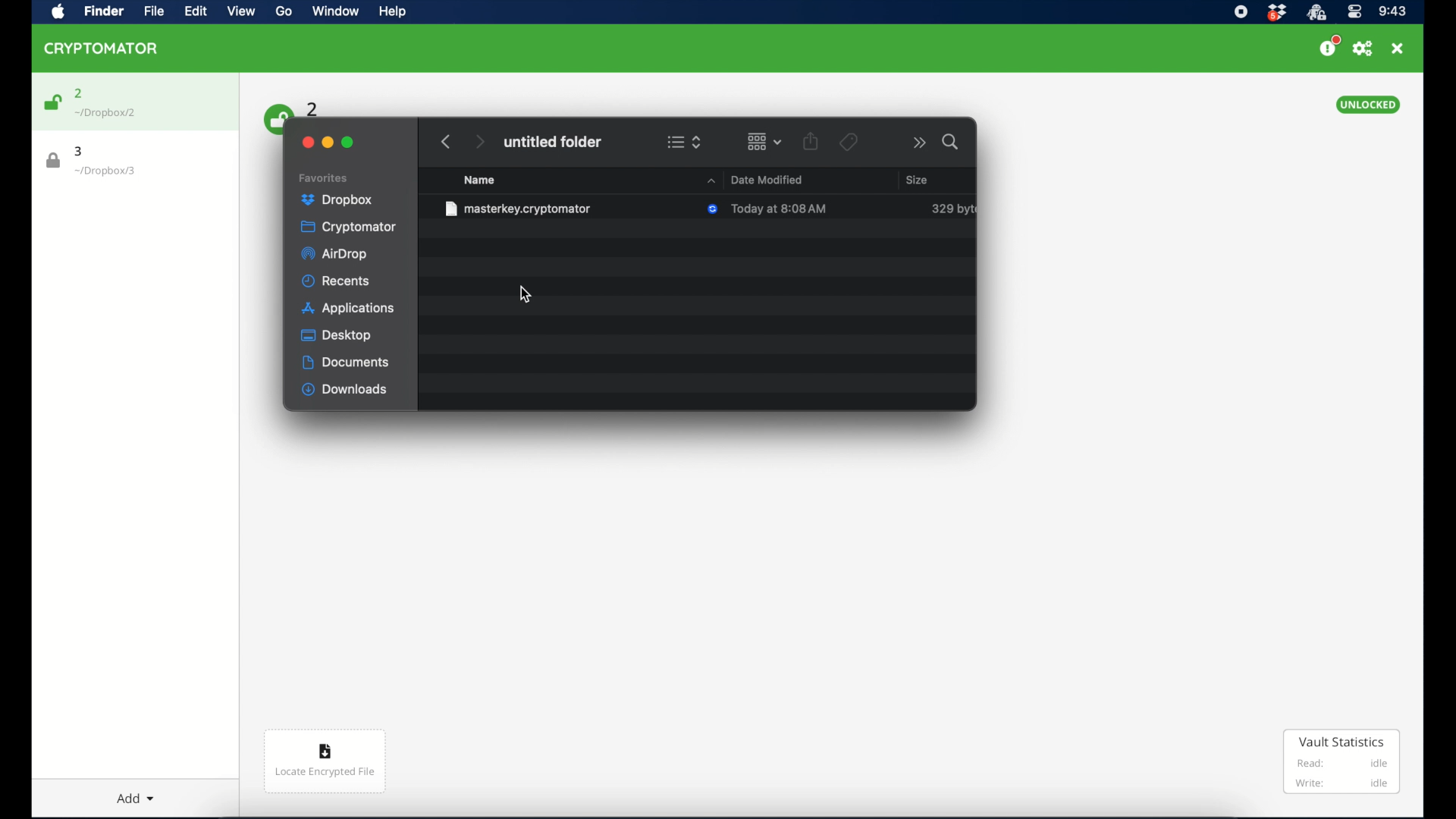  What do you see at coordinates (54, 161) in the screenshot?
I see `lock icon` at bounding box center [54, 161].